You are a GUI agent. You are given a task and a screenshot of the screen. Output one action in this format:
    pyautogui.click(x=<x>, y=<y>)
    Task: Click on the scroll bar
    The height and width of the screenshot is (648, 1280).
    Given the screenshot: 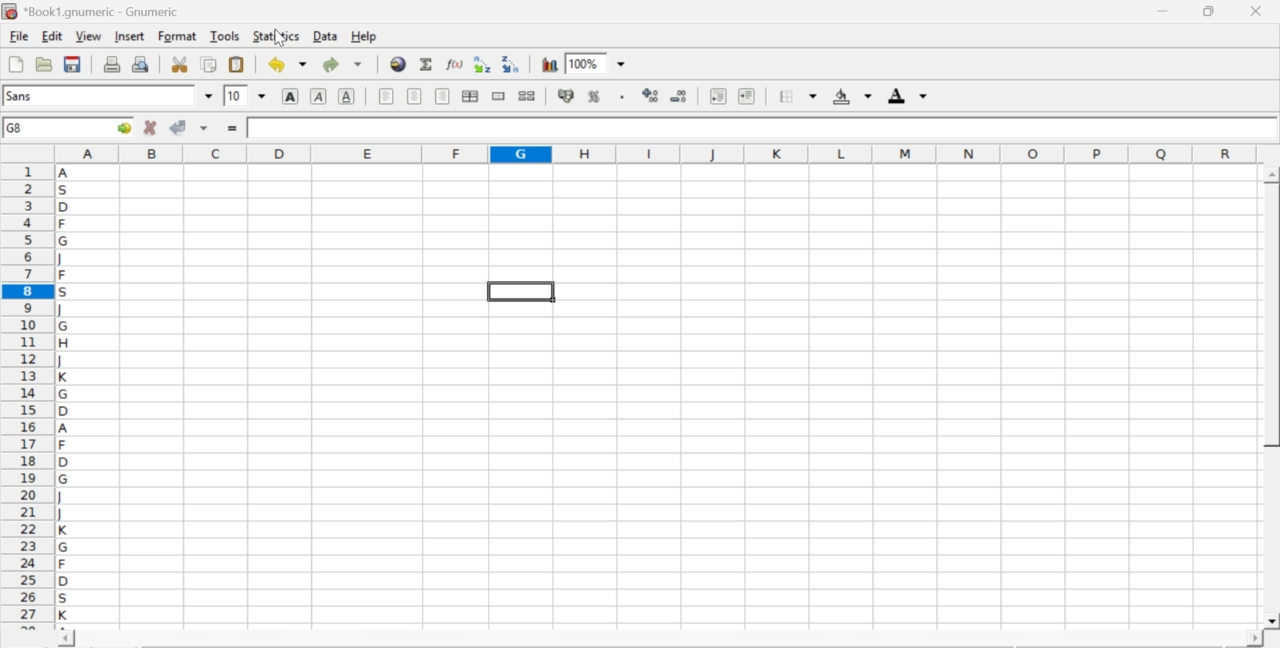 What is the action you would take?
    pyautogui.click(x=660, y=640)
    